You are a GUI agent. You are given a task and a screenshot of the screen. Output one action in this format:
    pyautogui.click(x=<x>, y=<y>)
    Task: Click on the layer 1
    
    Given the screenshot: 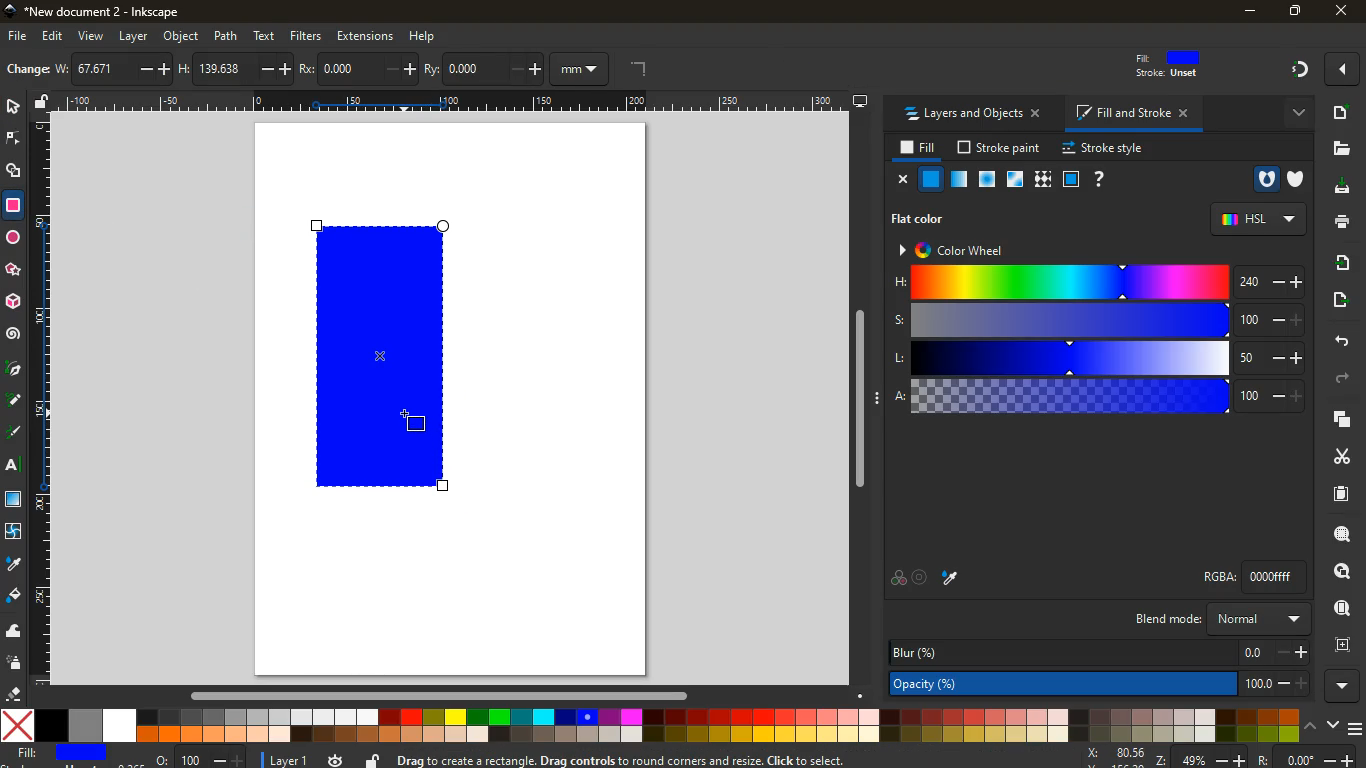 What is the action you would take?
    pyautogui.click(x=288, y=761)
    